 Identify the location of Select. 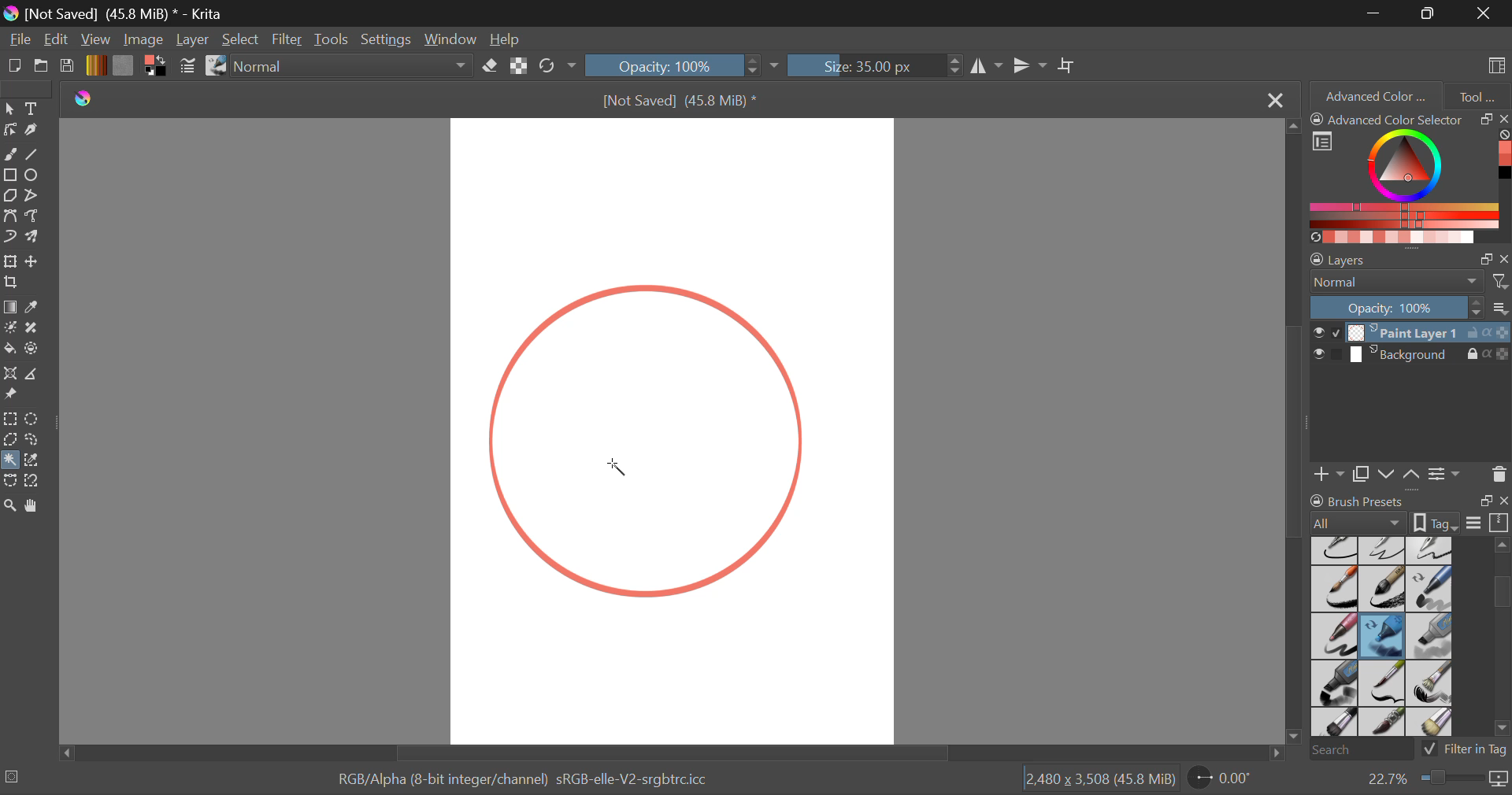
(9, 109).